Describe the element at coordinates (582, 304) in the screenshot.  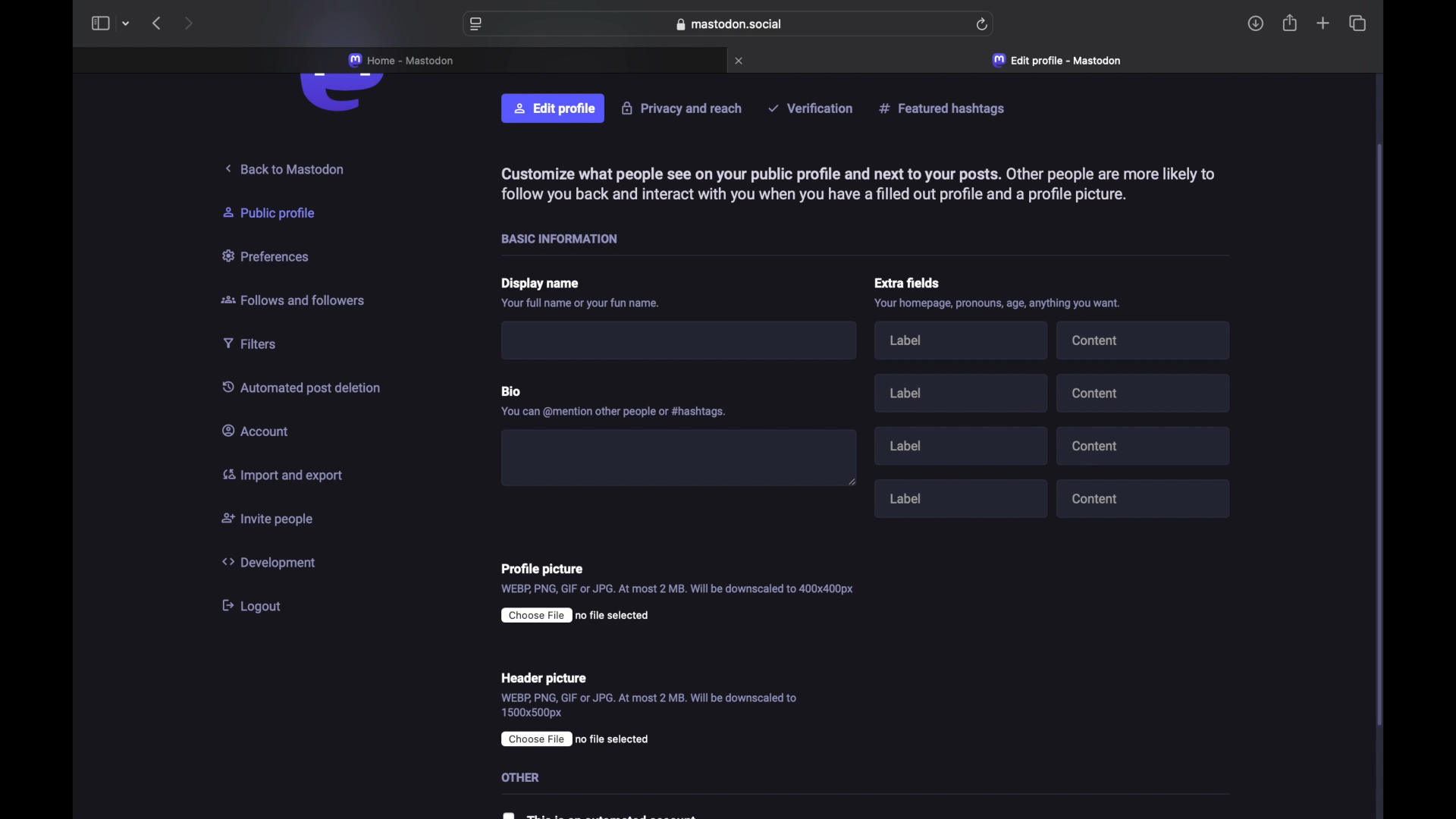
I see `info` at that location.